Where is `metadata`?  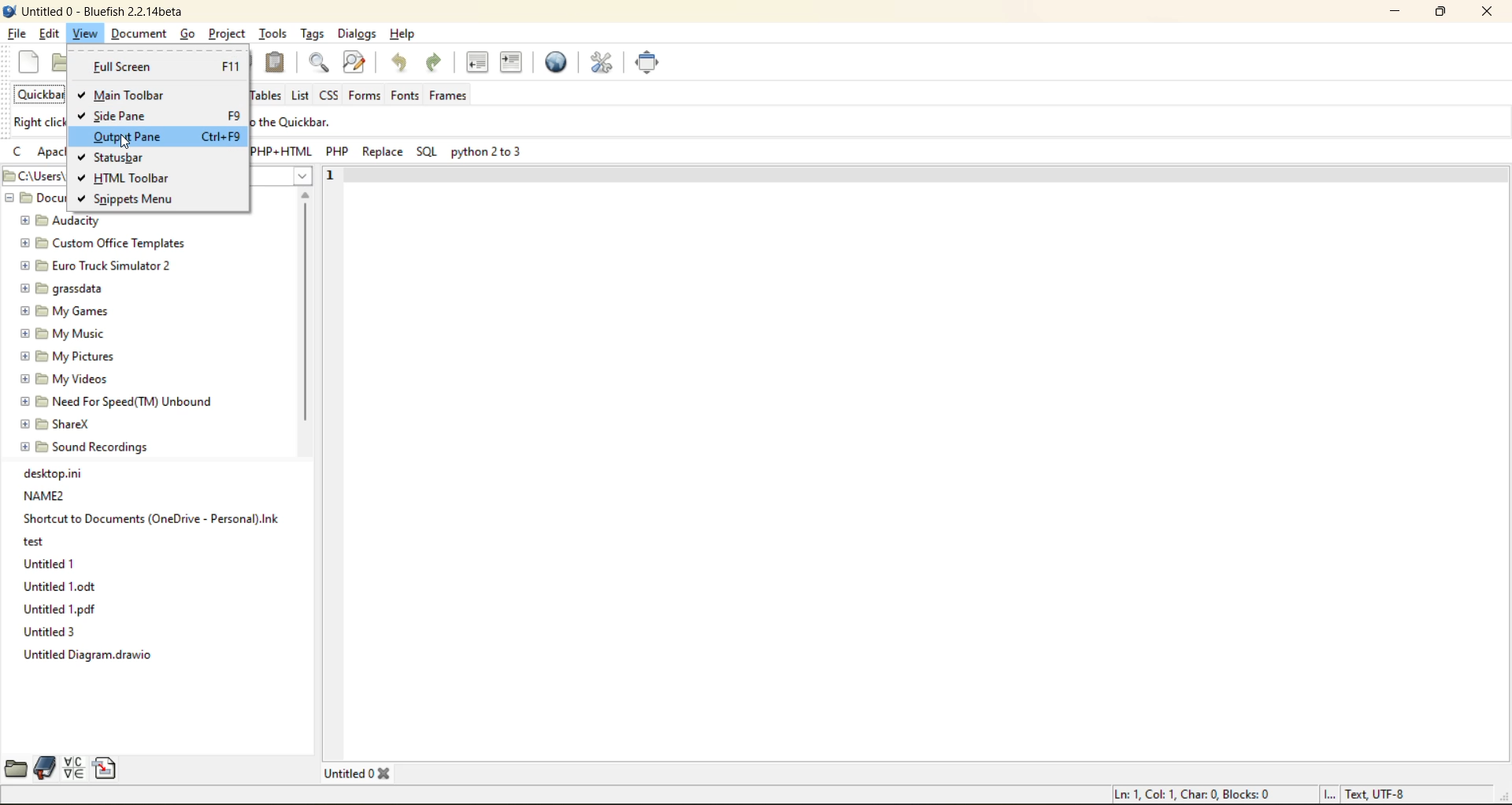 metadata is located at coordinates (1262, 793).